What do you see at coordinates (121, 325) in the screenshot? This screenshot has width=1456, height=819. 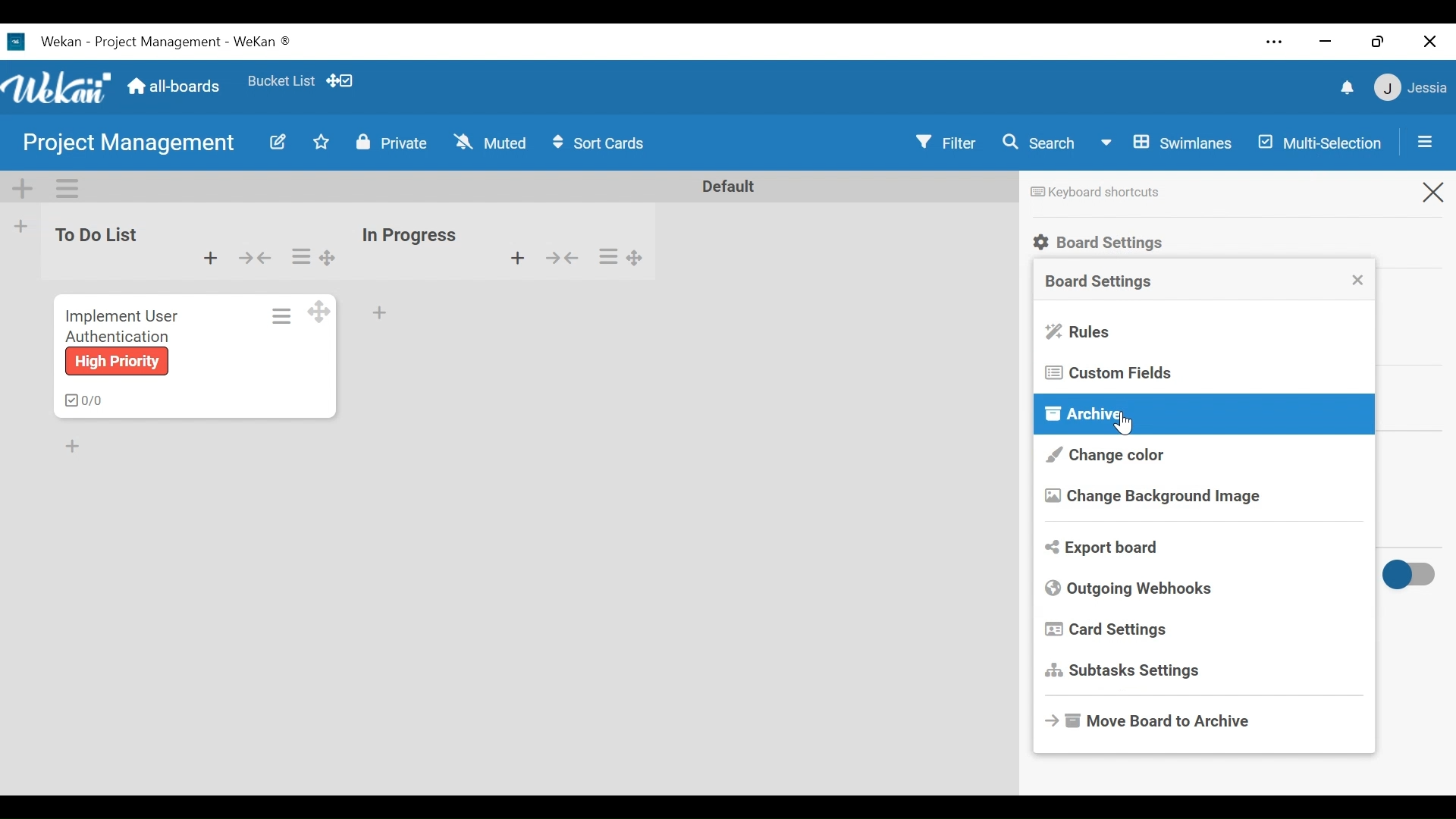 I see `Implement user authentication` at bounding box center [121, 325].